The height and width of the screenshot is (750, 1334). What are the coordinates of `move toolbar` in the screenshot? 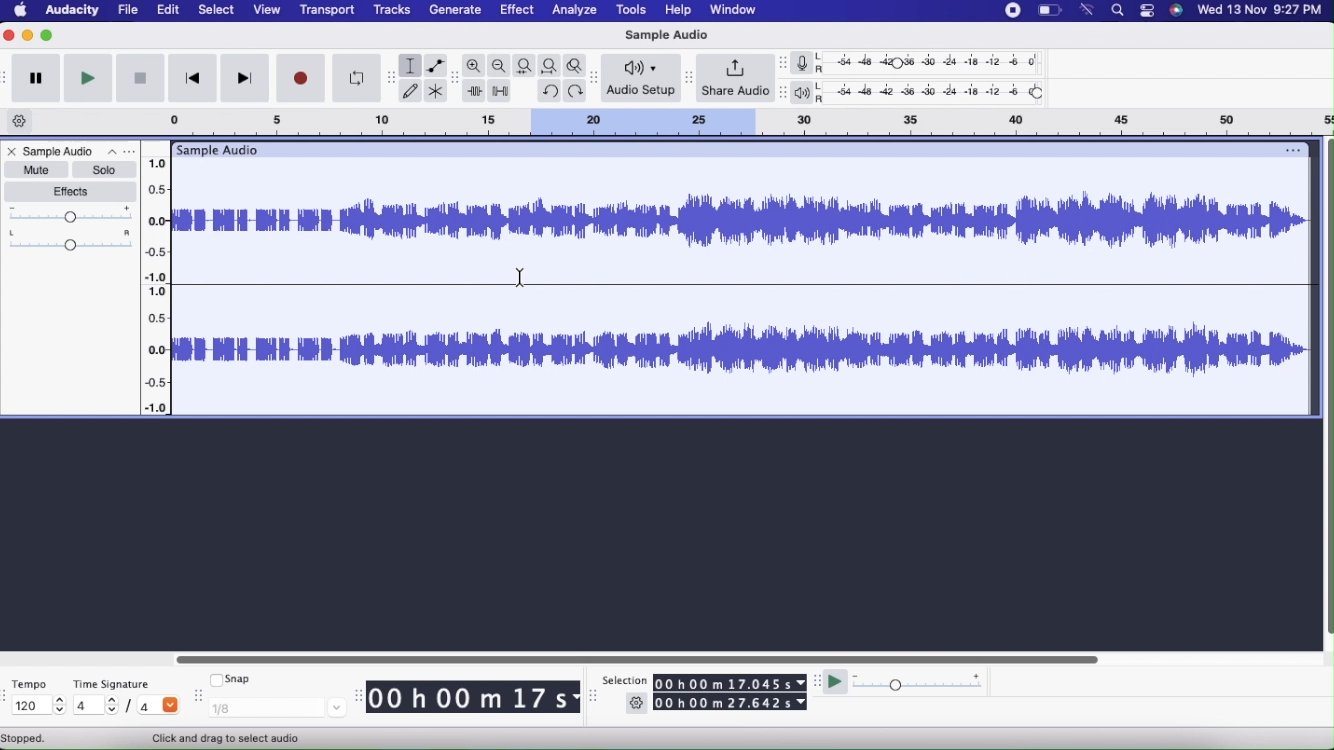 It's located at (783, 92).